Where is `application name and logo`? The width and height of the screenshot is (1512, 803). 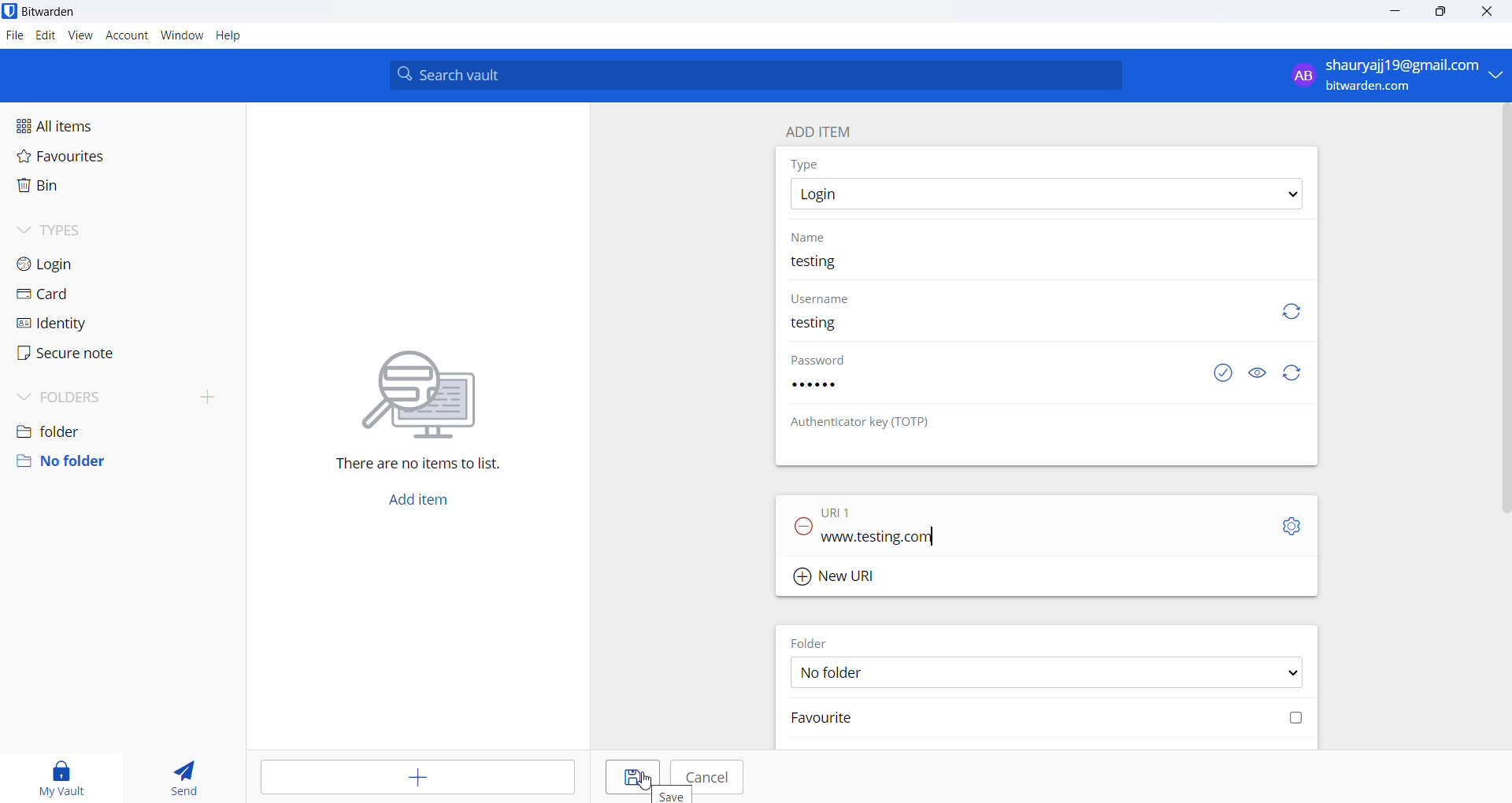
application name and logo is located at coordinates (58, 13).